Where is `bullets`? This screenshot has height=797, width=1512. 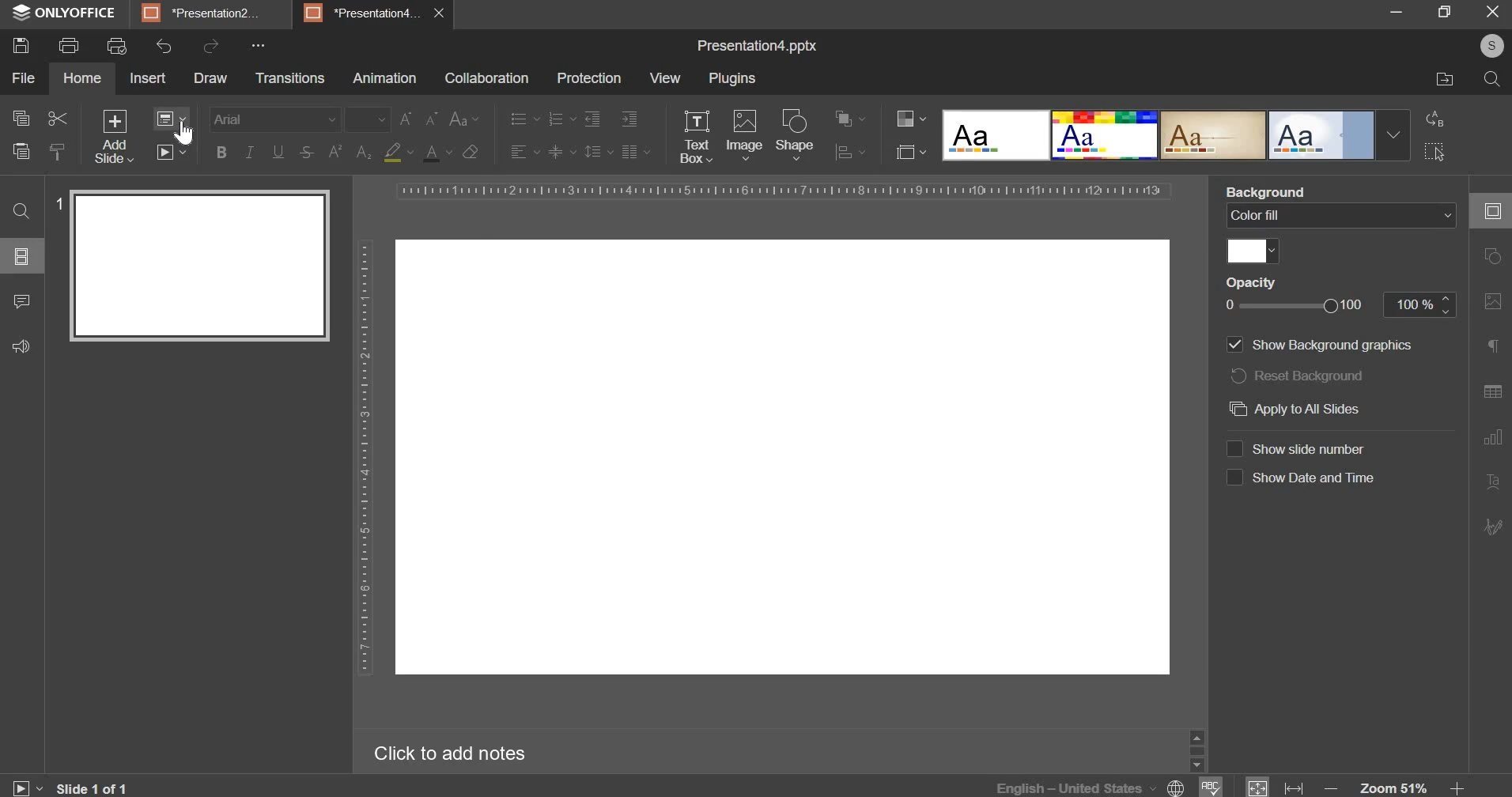 bullets is located at coordinates (524, 119).